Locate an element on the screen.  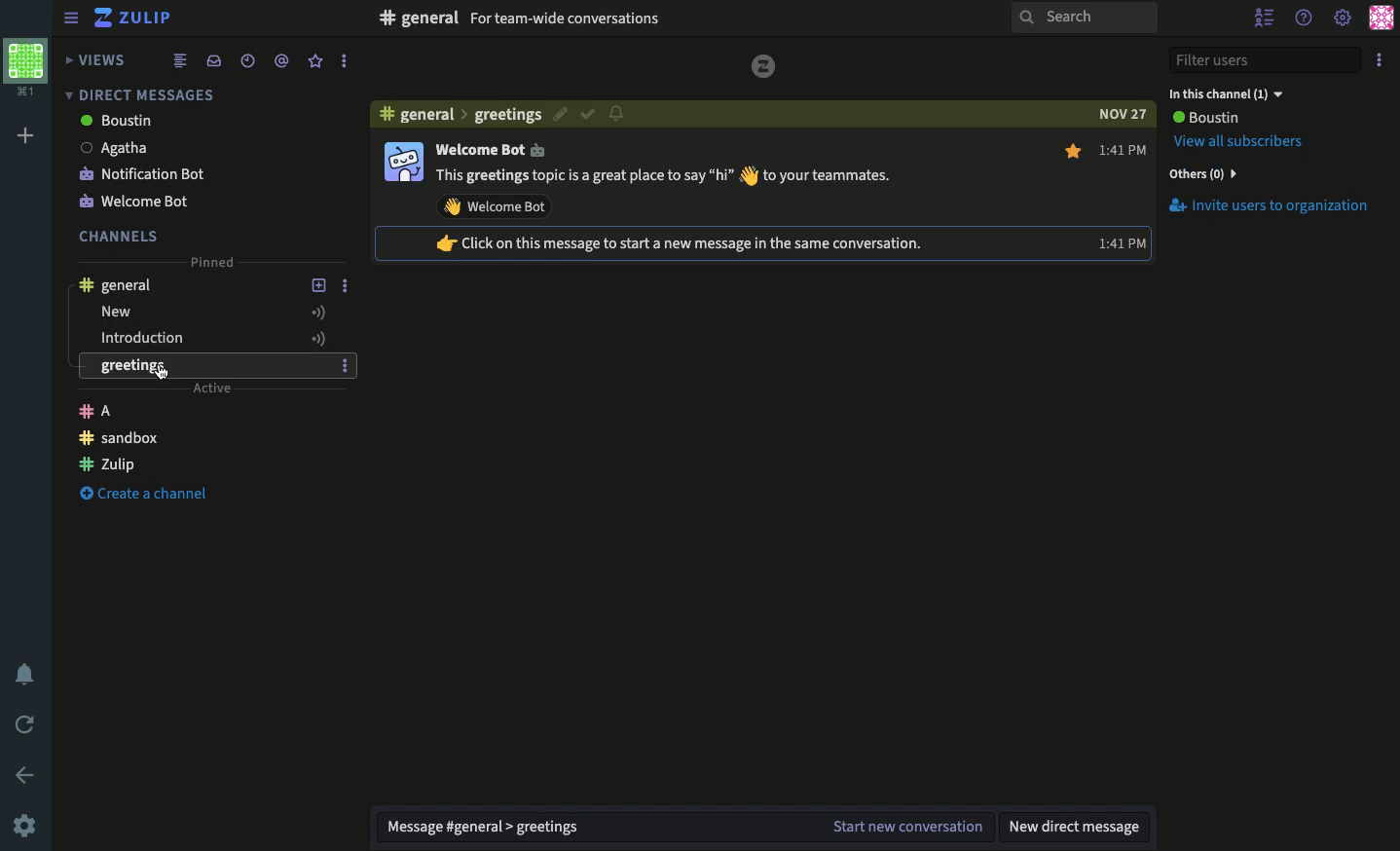
Create a channel is located at coordinates (149, 492).